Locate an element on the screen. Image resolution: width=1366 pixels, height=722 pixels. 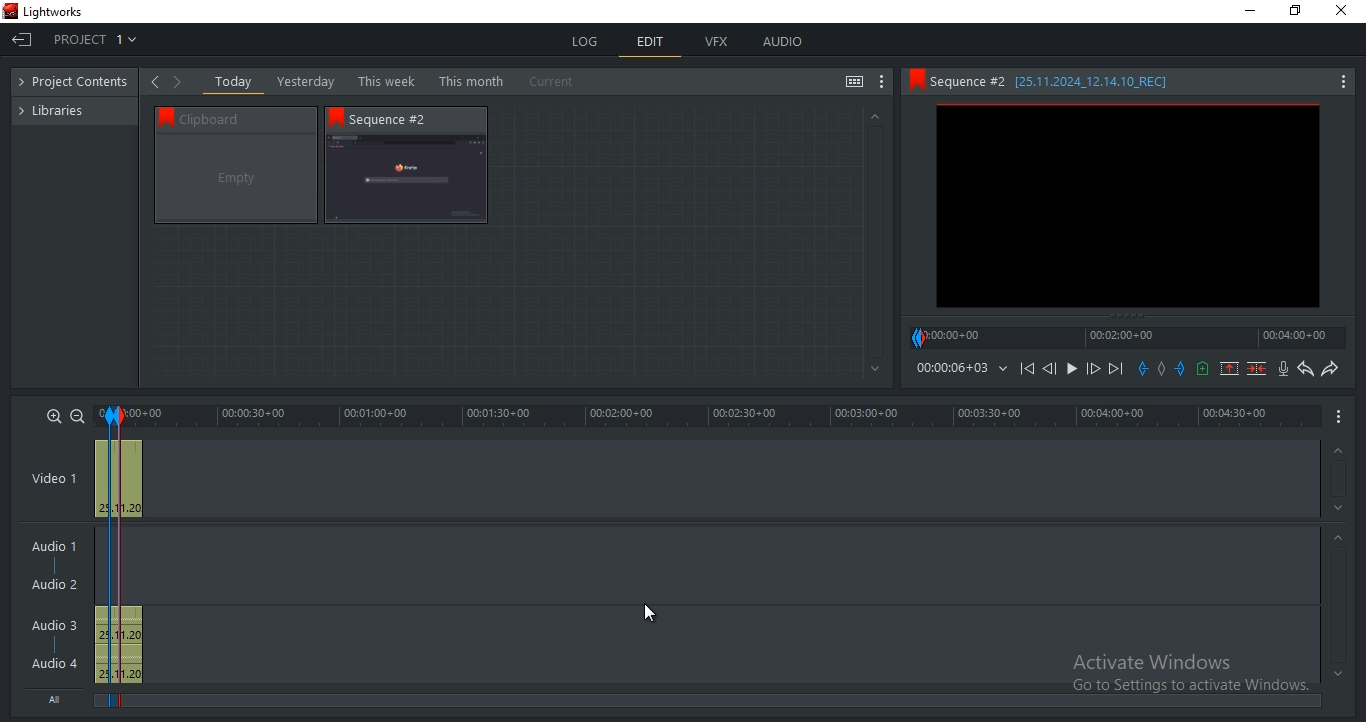
timeline is located at coordinates (710, 416).